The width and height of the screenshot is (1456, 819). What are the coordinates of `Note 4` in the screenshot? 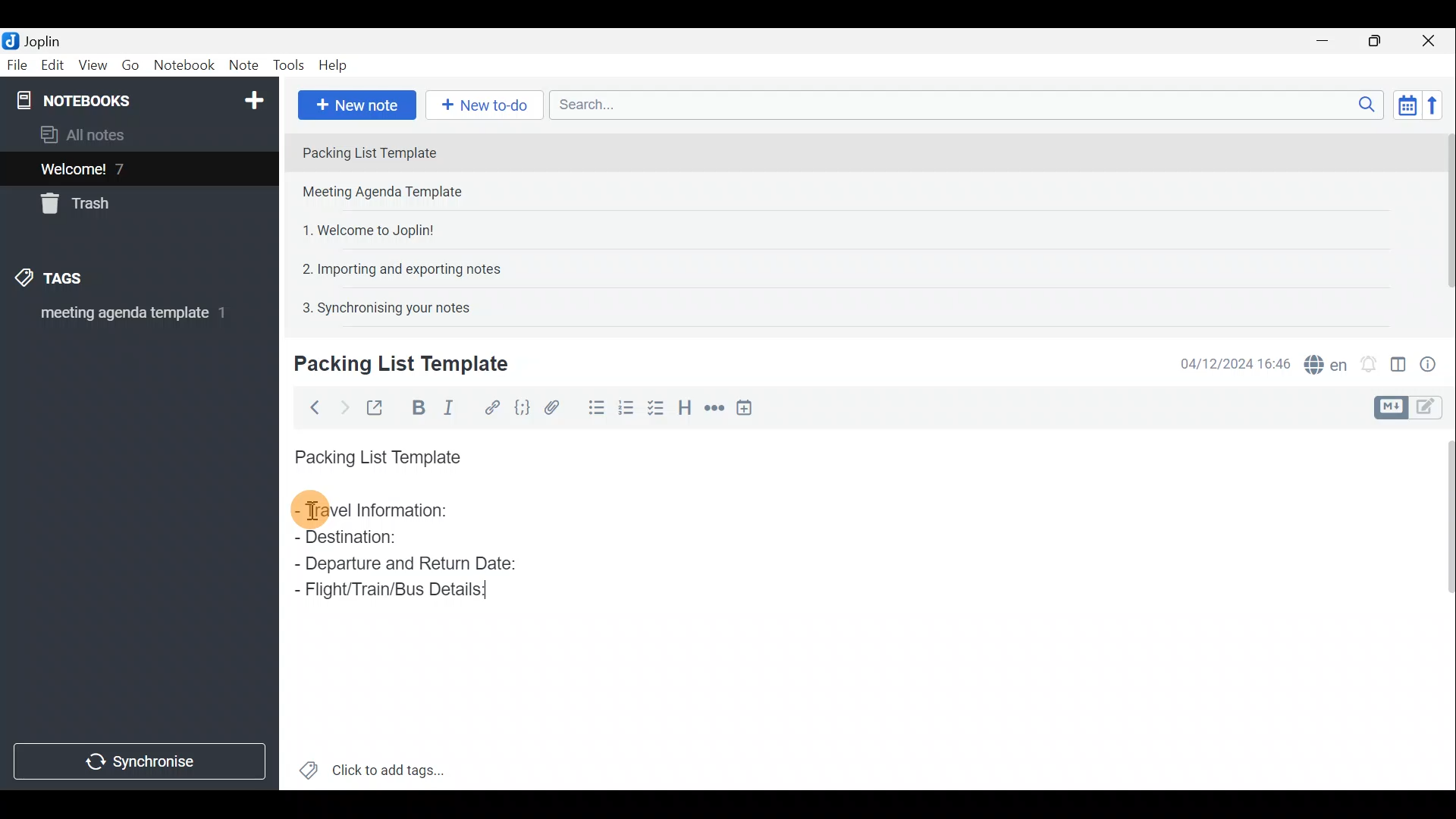 It's located at (394, 266).